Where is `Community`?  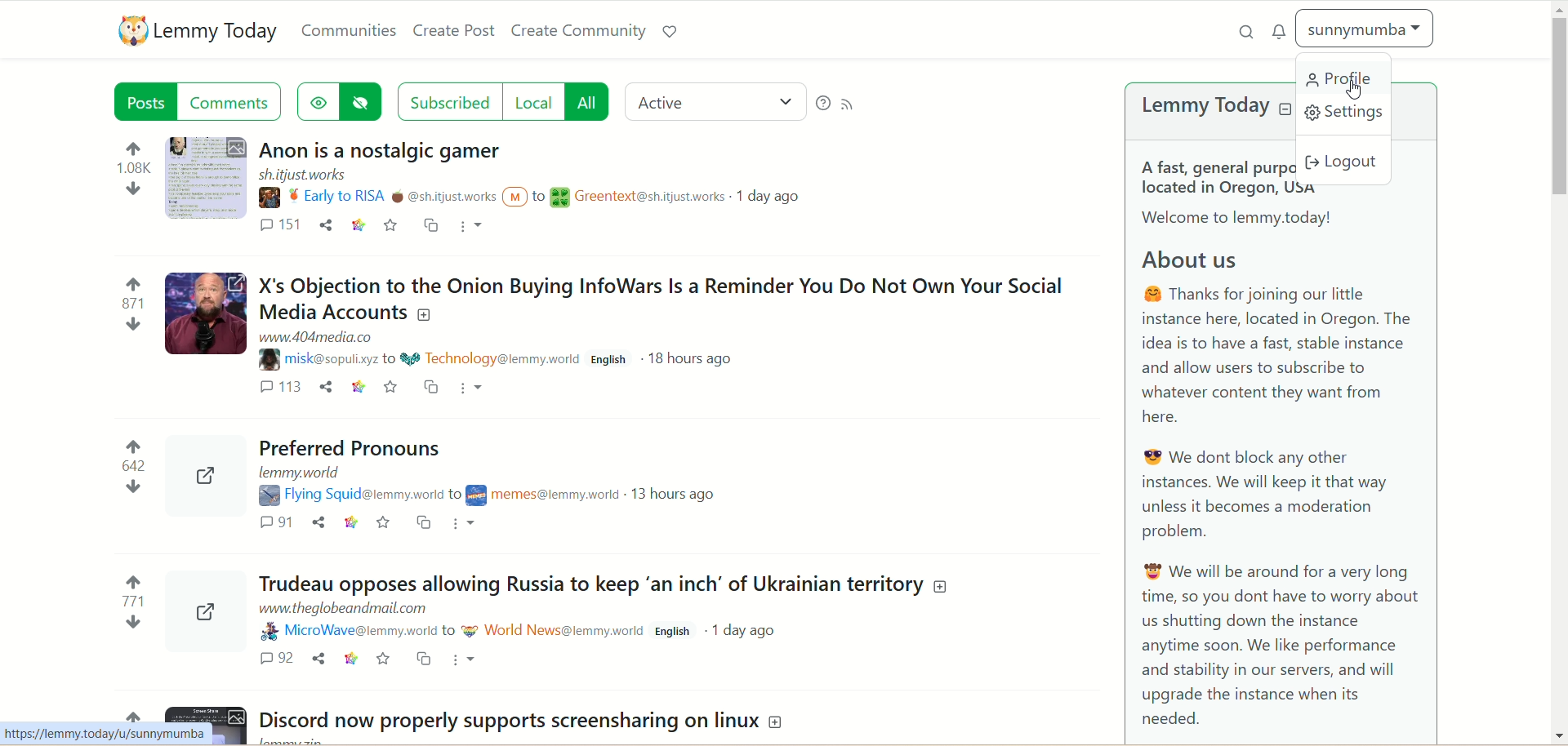
Community is located at coordinates (544, 494).